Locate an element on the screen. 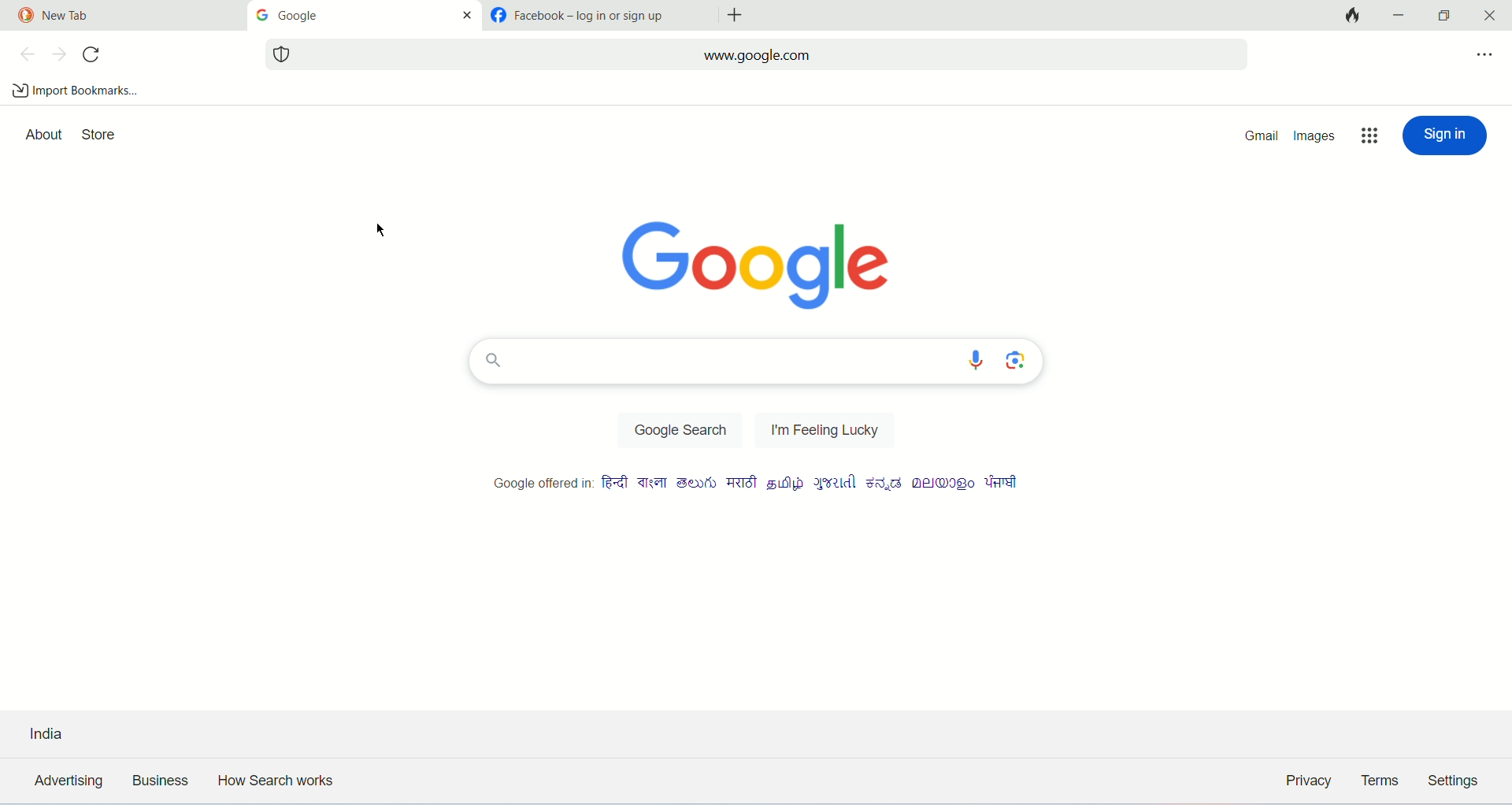  tab2 is located at coordinates (598, 16).